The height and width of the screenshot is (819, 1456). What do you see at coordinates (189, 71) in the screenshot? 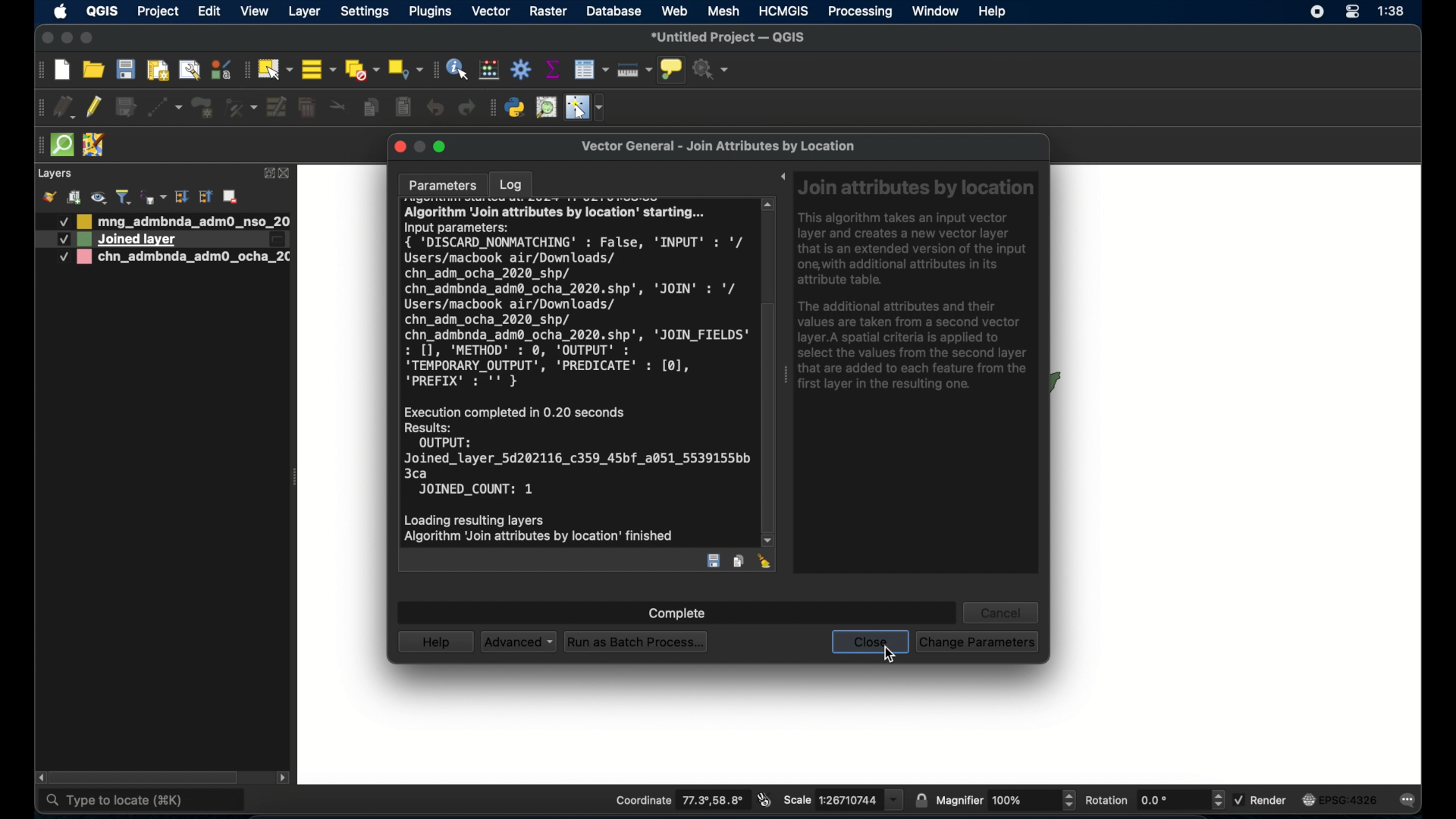
I see `show layout manager` at bounding box center [189, 71].